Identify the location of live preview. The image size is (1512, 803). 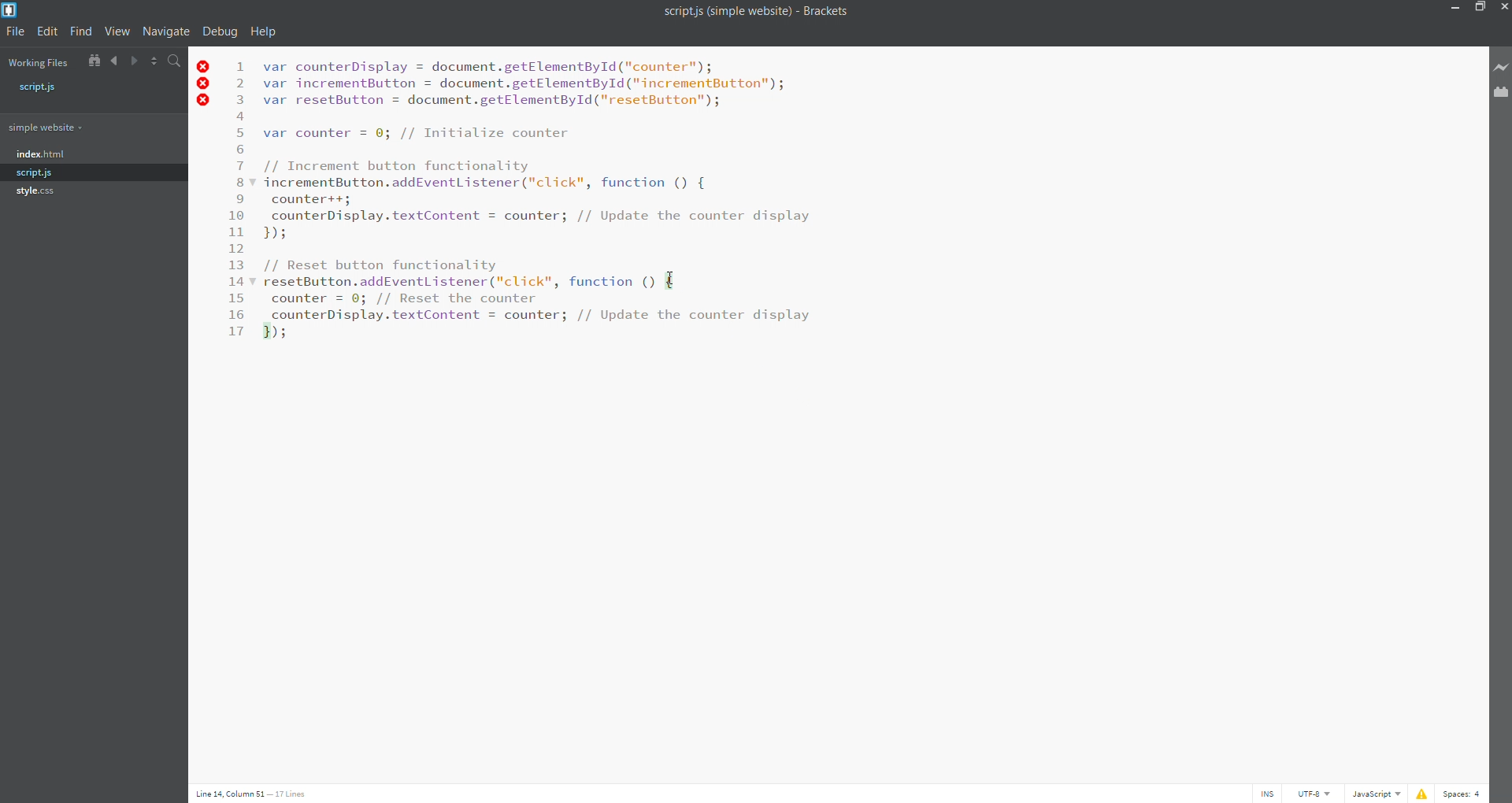
(1502, 67).